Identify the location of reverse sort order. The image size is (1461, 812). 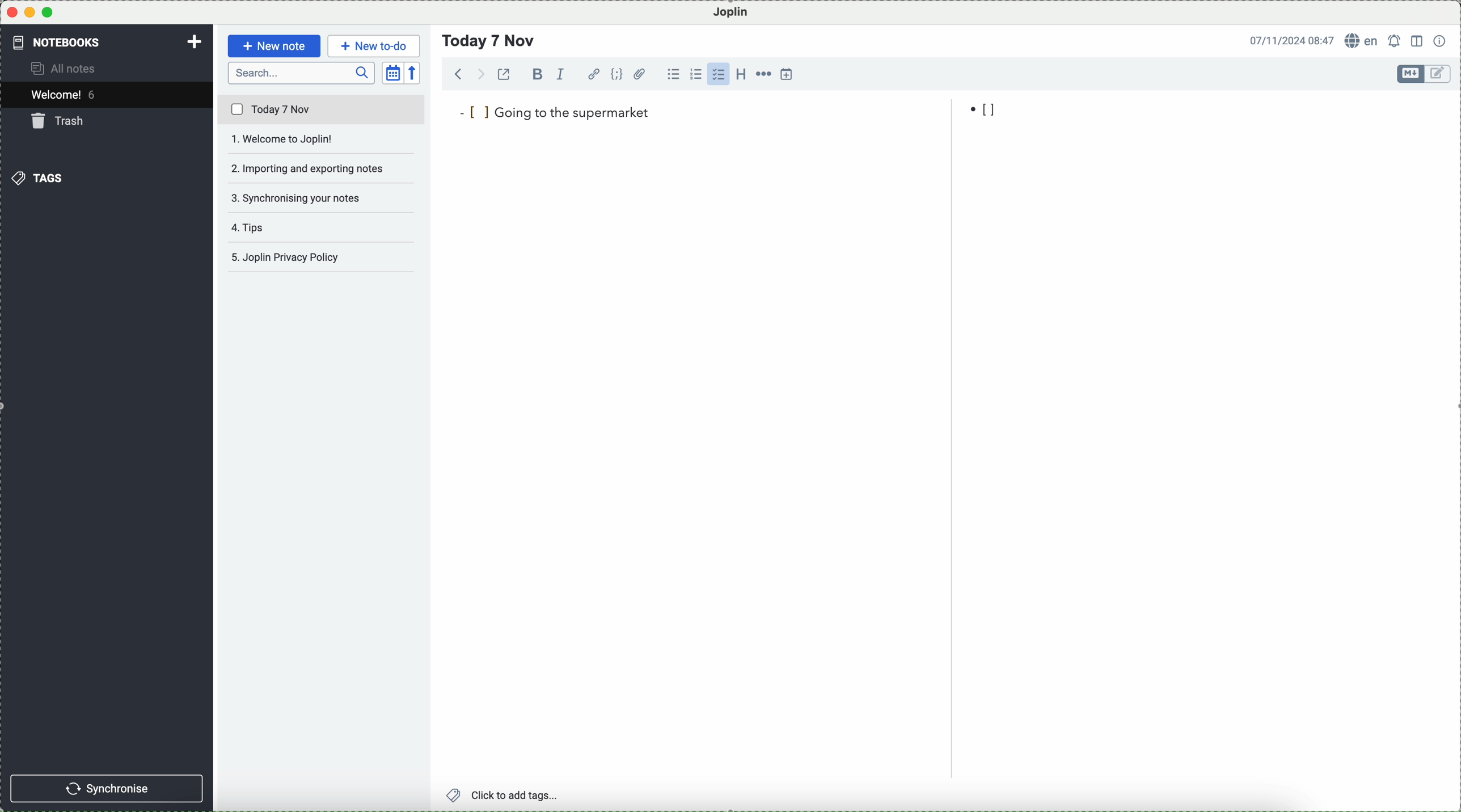
(413, 73).